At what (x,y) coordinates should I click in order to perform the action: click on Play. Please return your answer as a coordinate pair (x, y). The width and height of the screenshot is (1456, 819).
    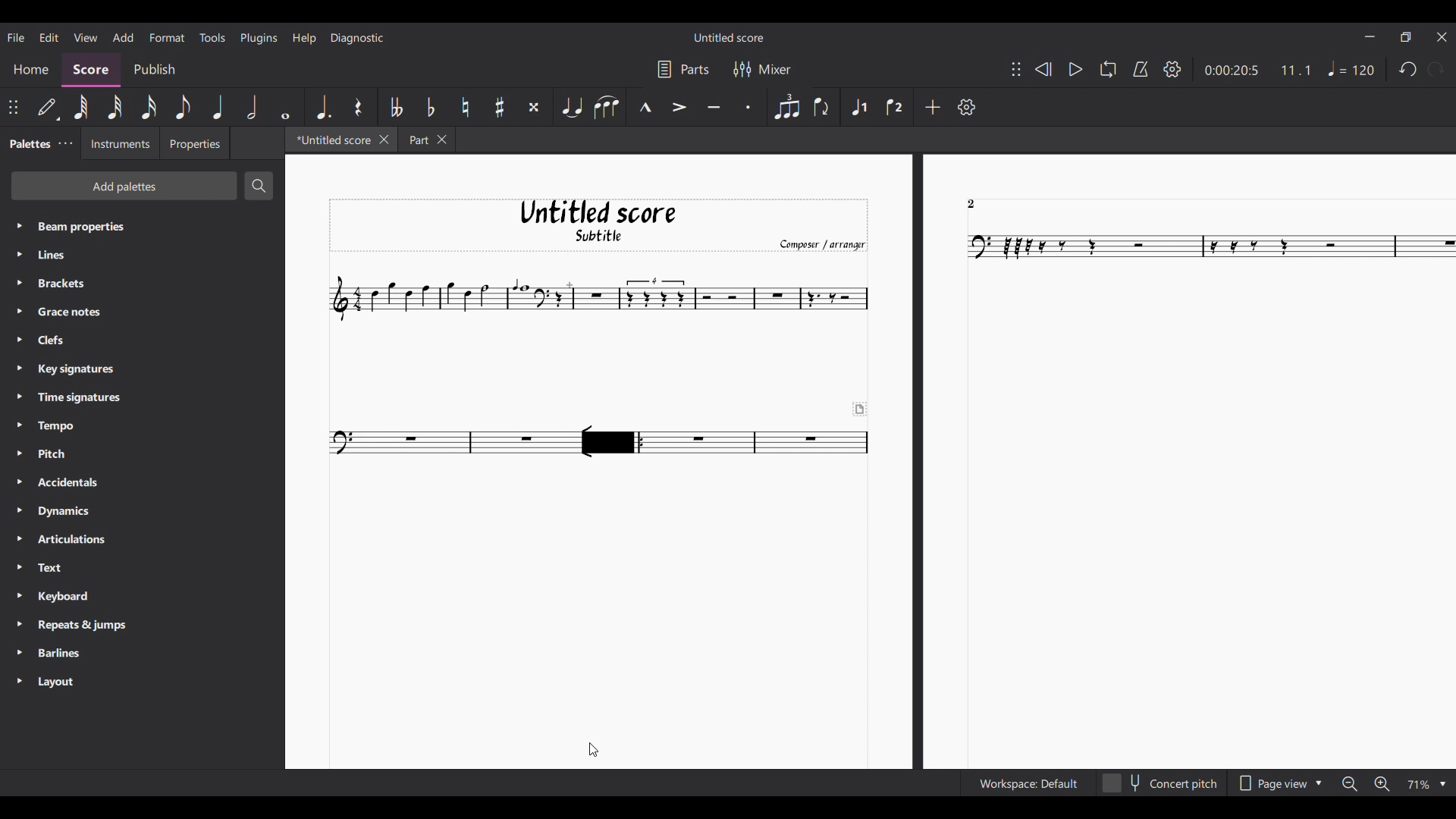
    Looking at the image, I should click on (1076, 70).